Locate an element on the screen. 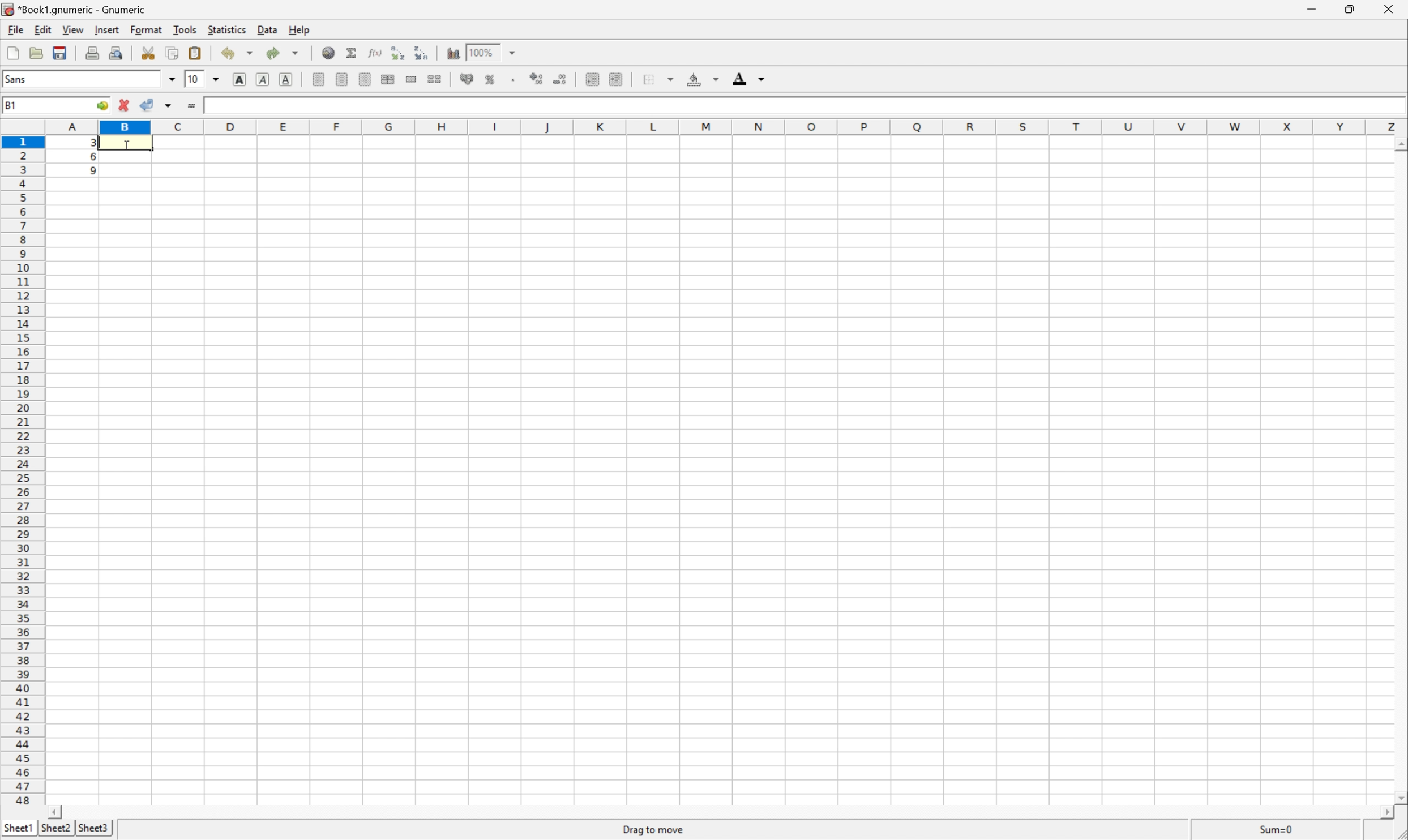 This screenshot has height=840, width=1408. 5 is located at coordinates (89, 173).